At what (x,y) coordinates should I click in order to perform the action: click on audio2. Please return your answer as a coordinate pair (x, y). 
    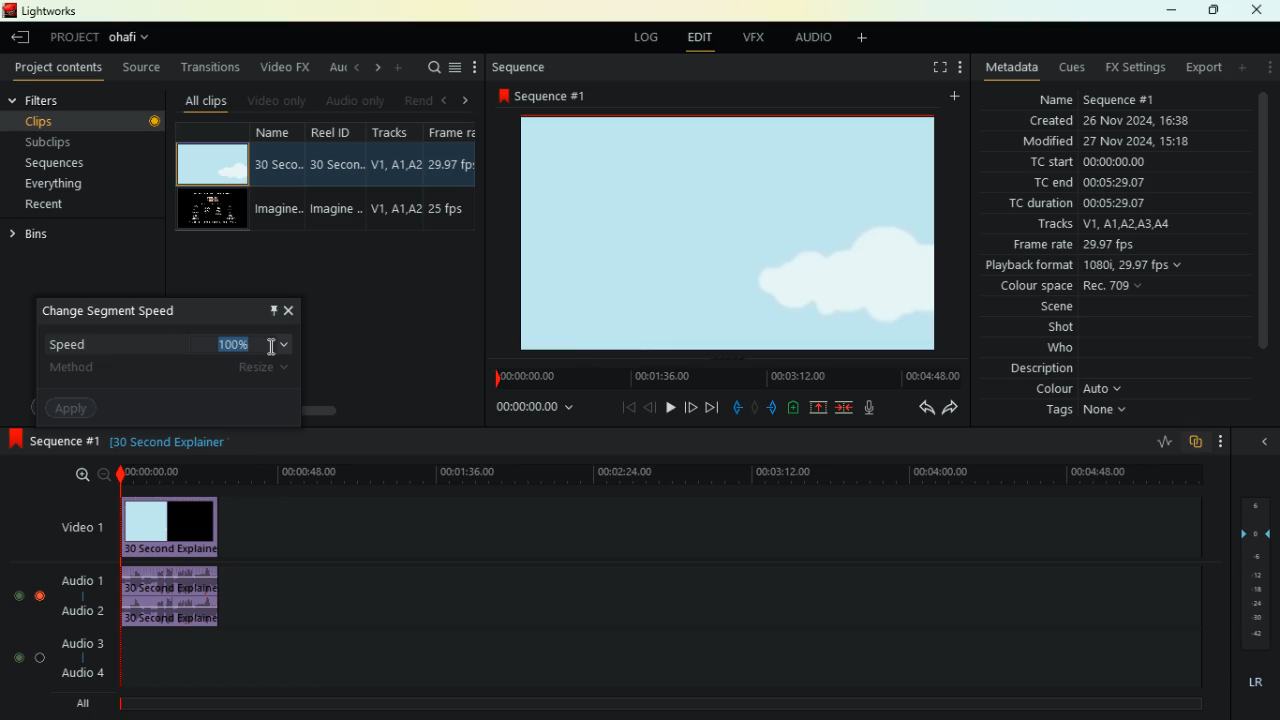
    Looking at the image, I should click on (78, 610).